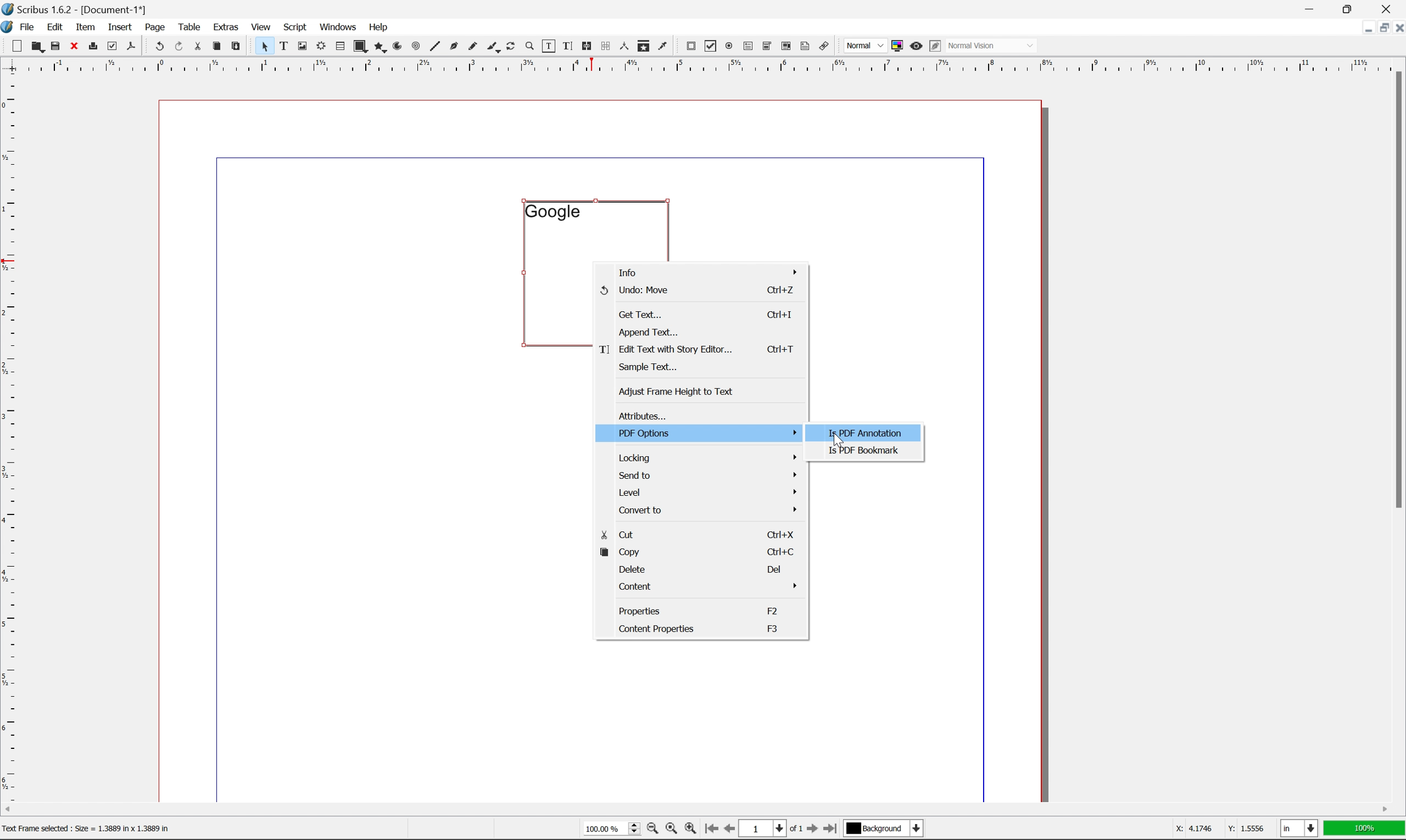 Image resolution: width=1406 pixels, height=840 pixels. I want to click on help, so click(378, 27).